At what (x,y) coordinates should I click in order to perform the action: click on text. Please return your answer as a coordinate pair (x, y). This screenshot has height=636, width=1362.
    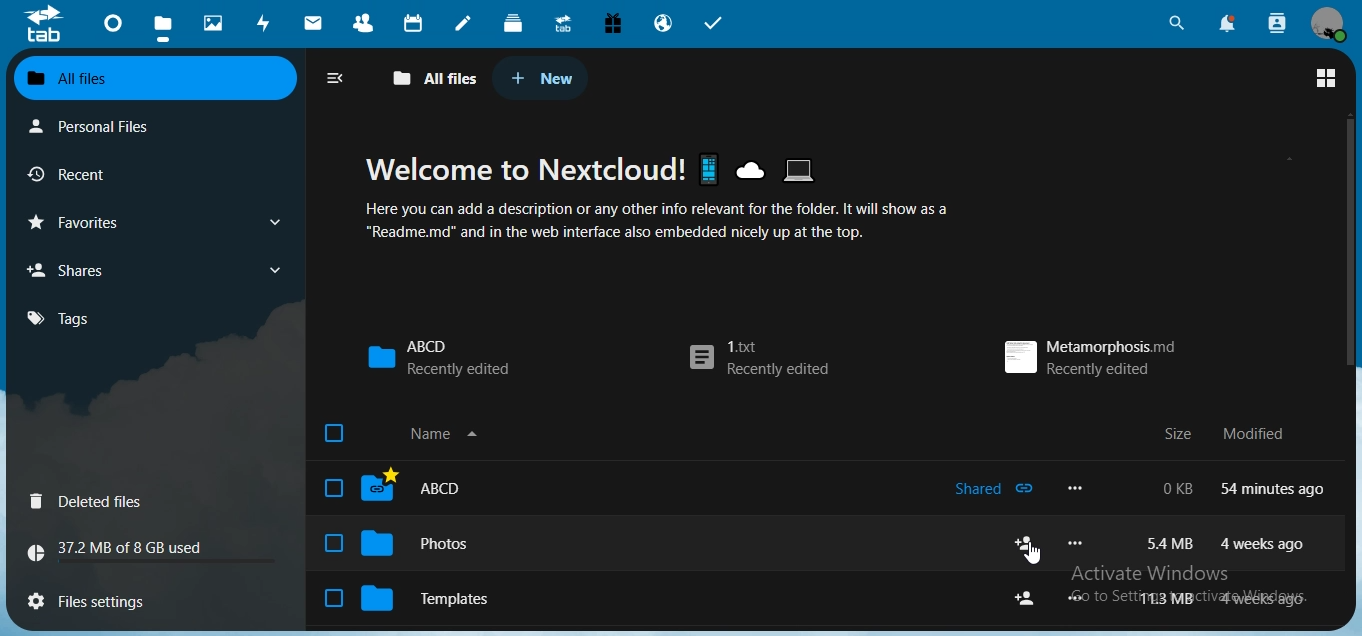
    Looking at the image, I should click on (672, 197).